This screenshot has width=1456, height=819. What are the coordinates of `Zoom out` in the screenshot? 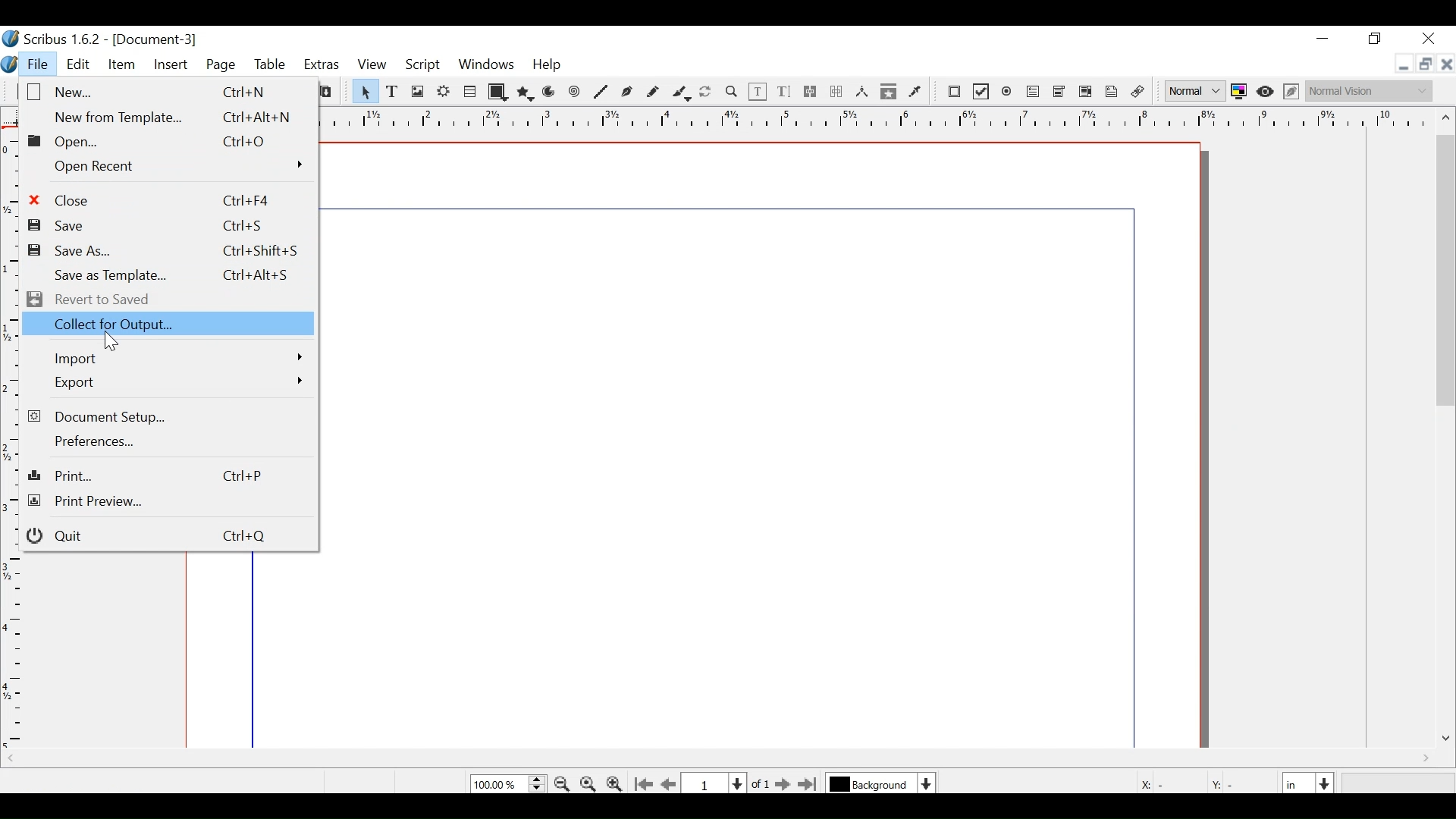 It's located at (616, 784).